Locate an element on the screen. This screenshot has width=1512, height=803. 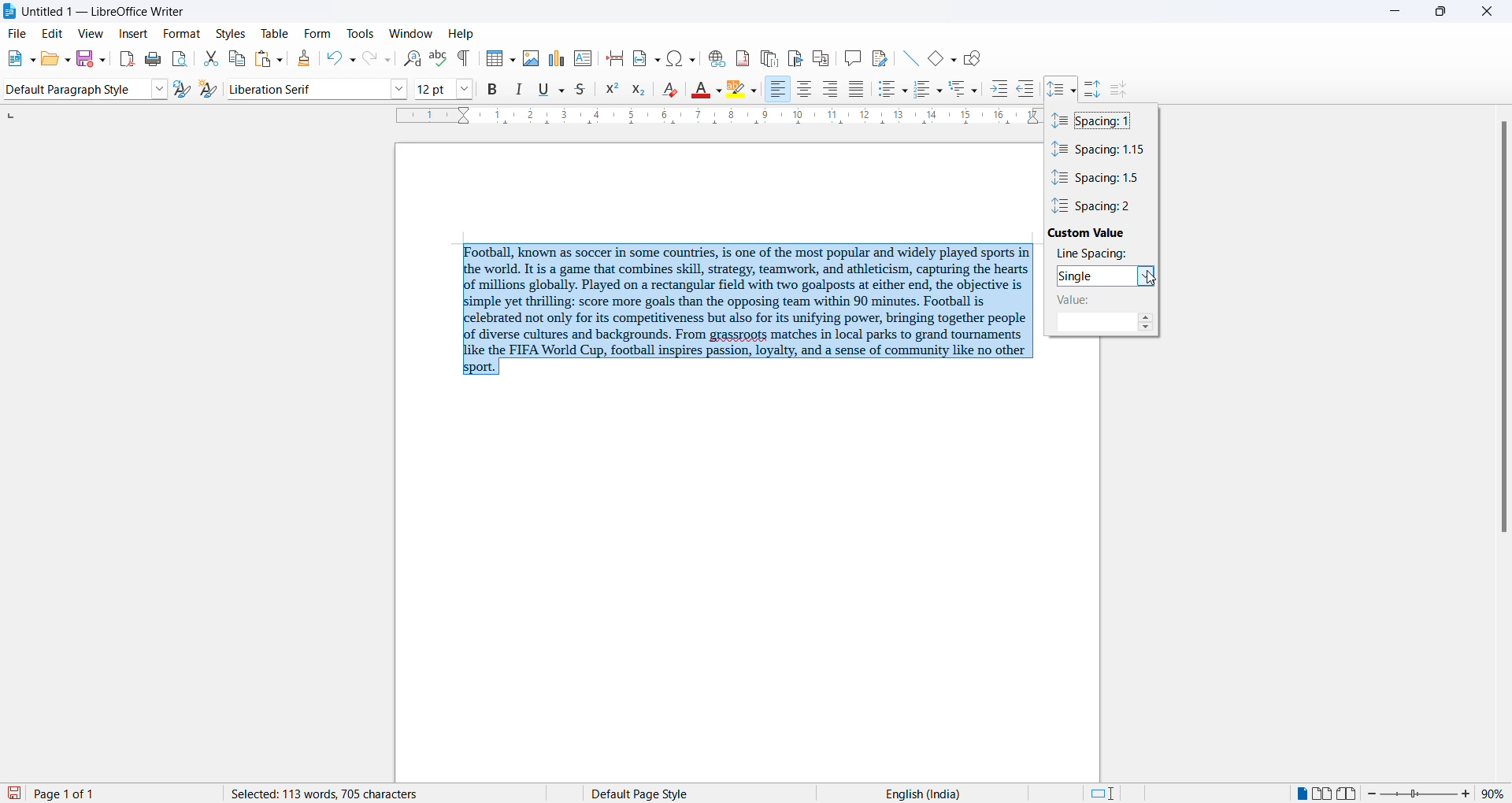
increase paragraph spacing is located at coordinates (1095, 89).